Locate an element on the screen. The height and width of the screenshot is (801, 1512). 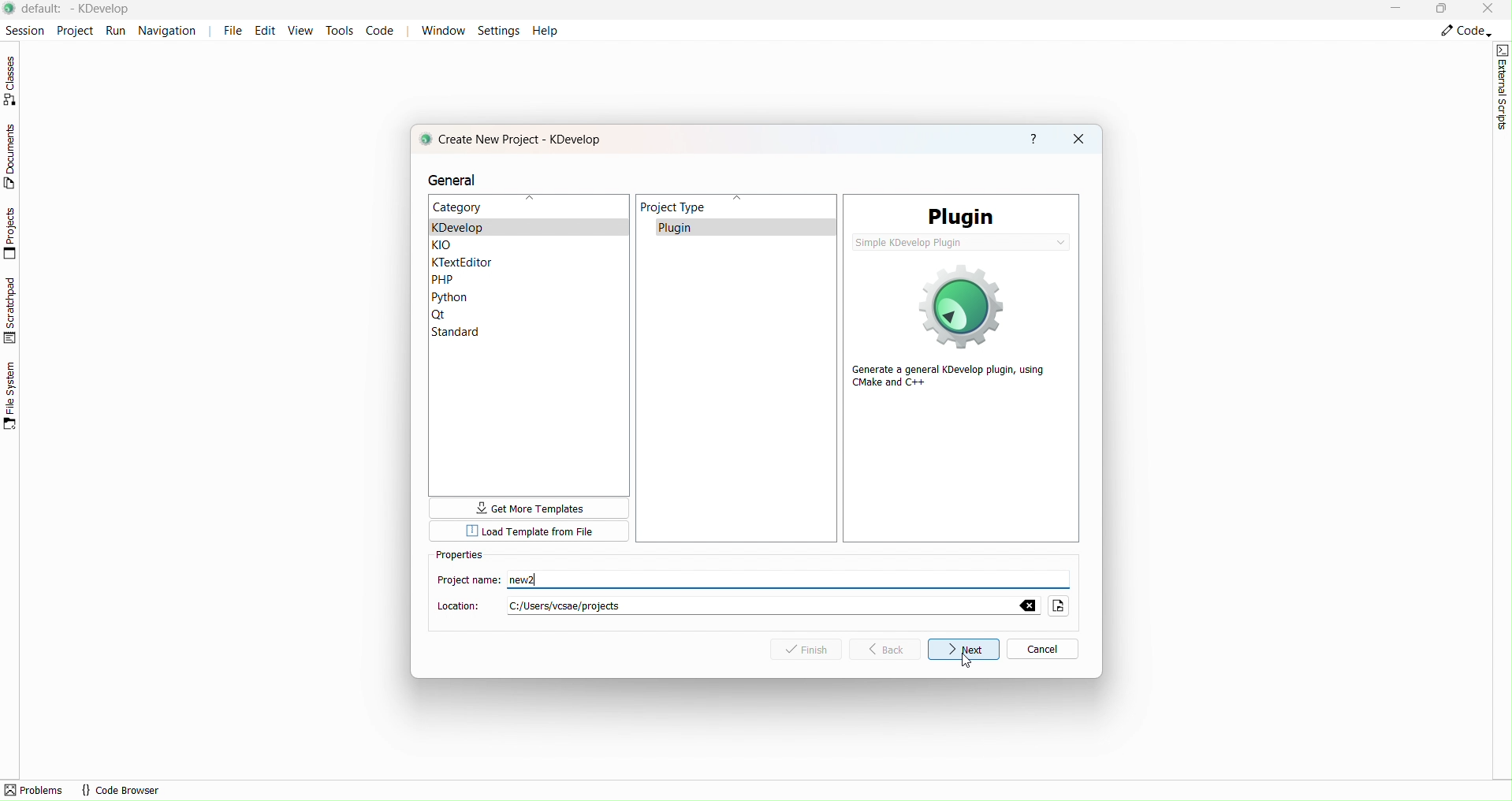
Close is located at coordinates (1490, 9).